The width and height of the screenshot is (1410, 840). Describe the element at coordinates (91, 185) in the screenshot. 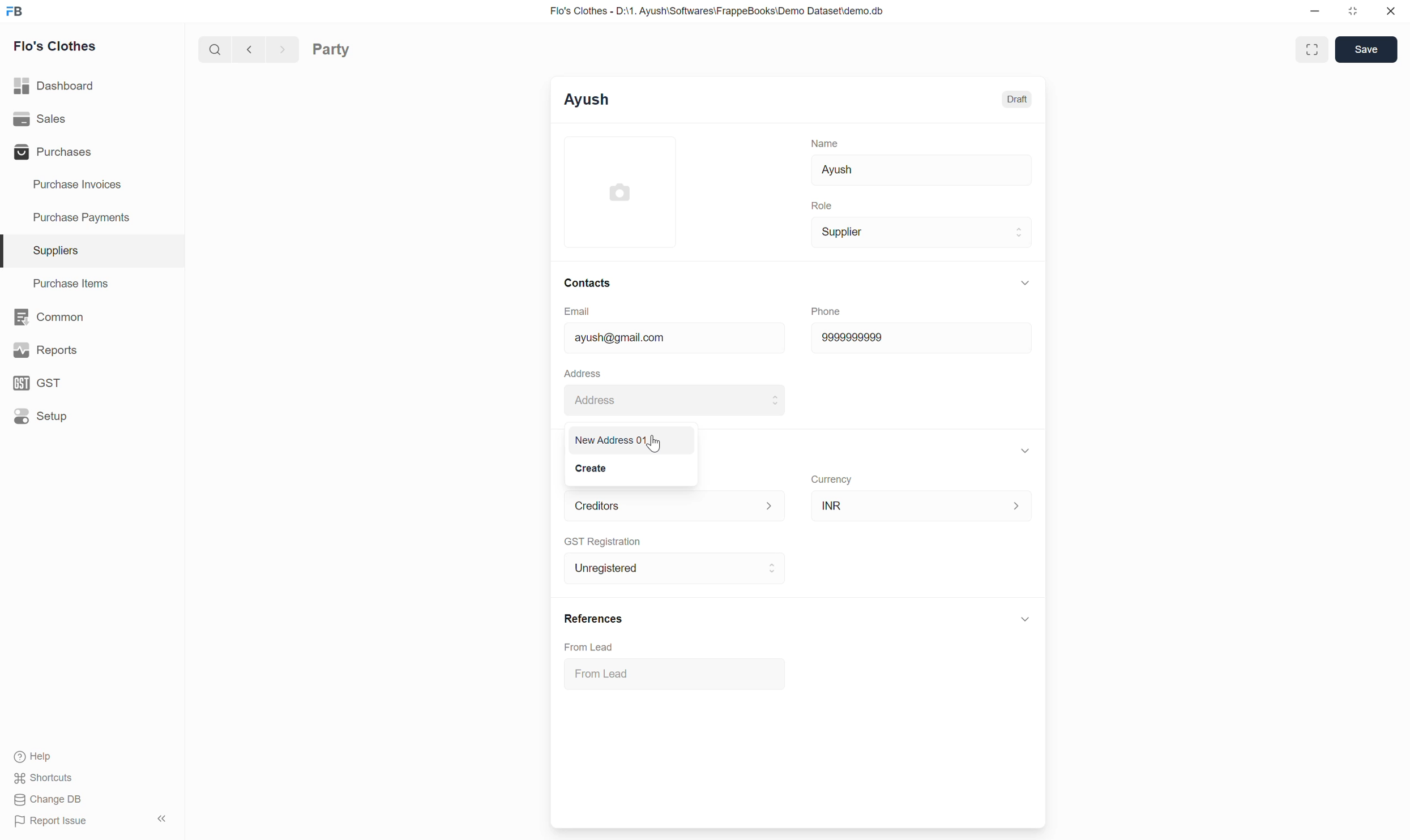

I see `Purchase Invoices` at that location.